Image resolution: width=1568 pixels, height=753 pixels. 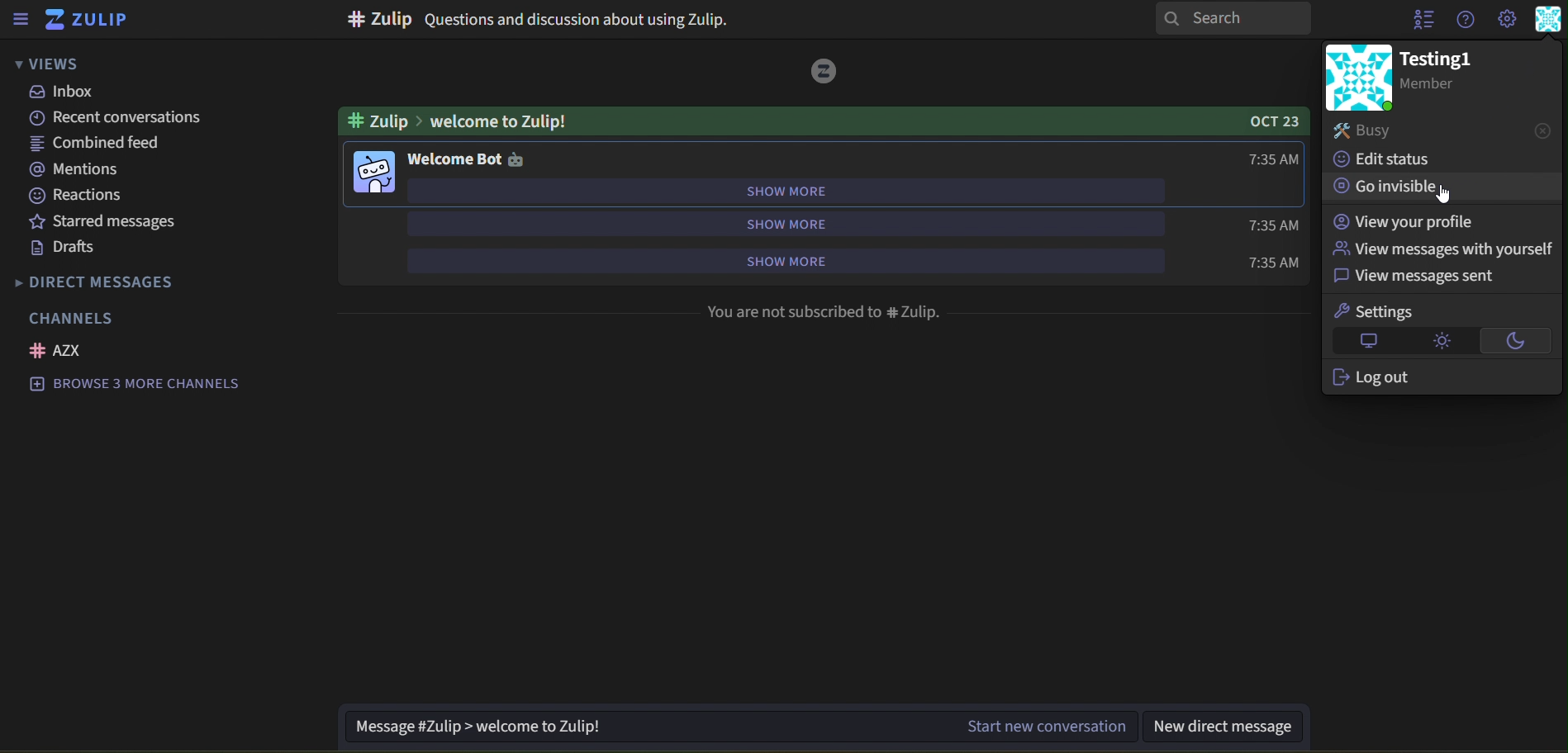 I want to click on show more, so click(x=786, y=191).